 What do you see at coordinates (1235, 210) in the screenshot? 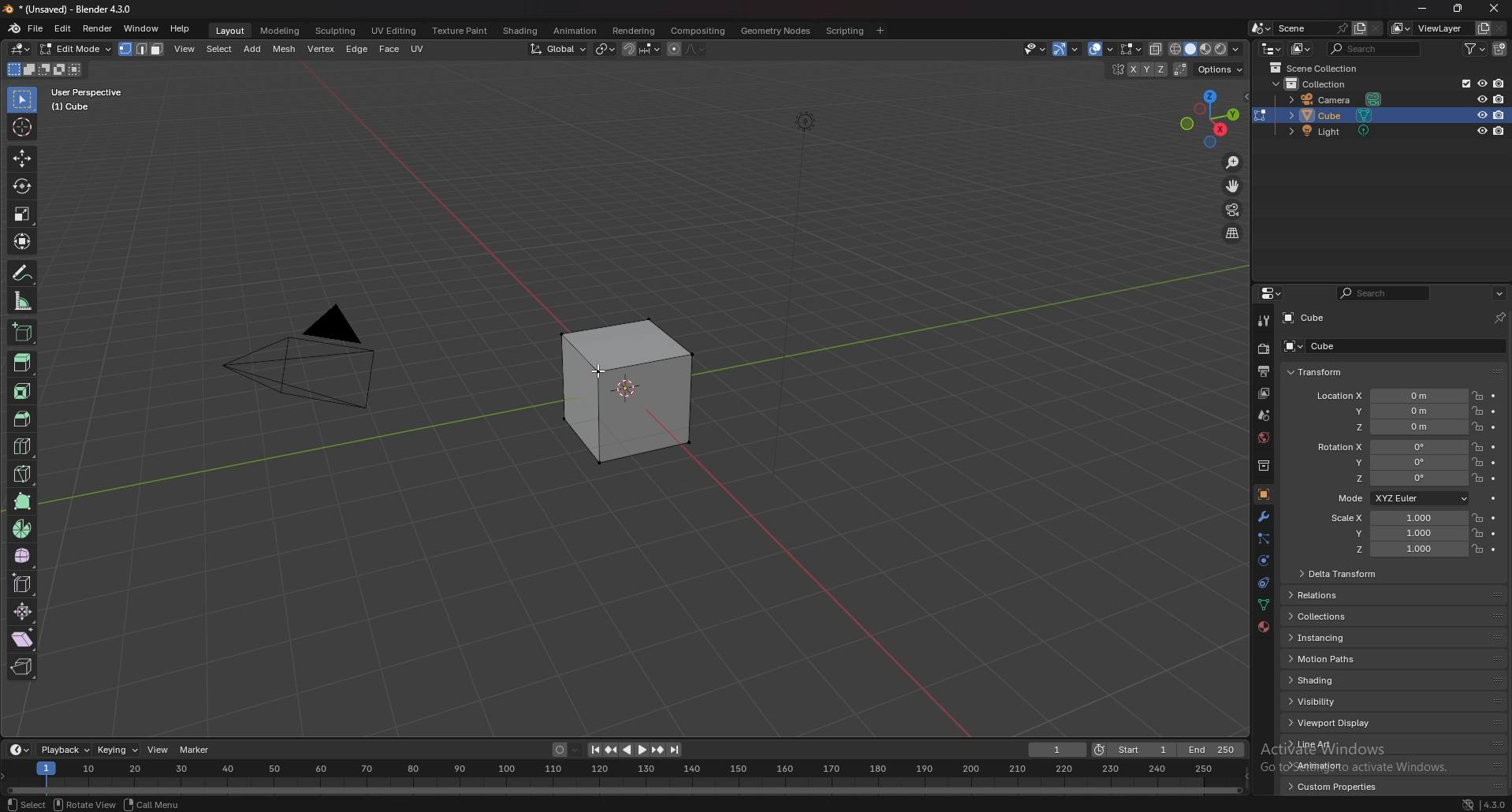
I see `camera view` at bounding box center [1235, 210].